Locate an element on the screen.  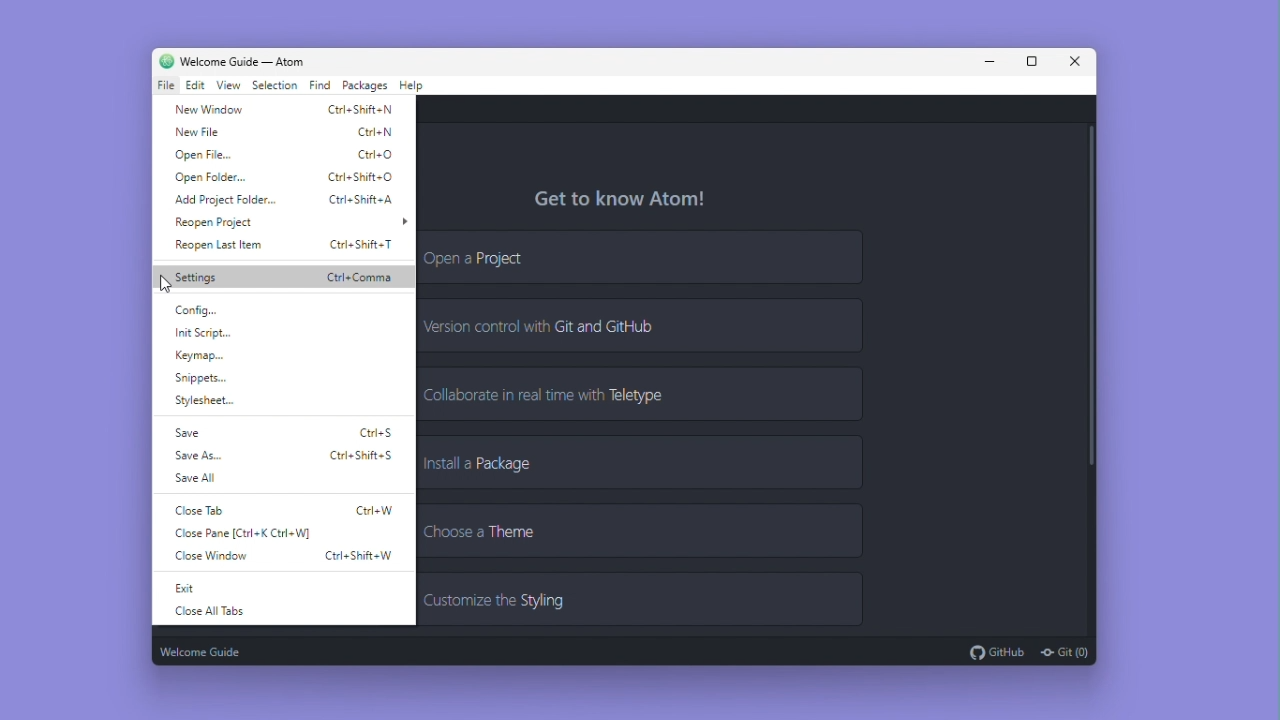
Stylesheet is located at coordinates (202, 401).